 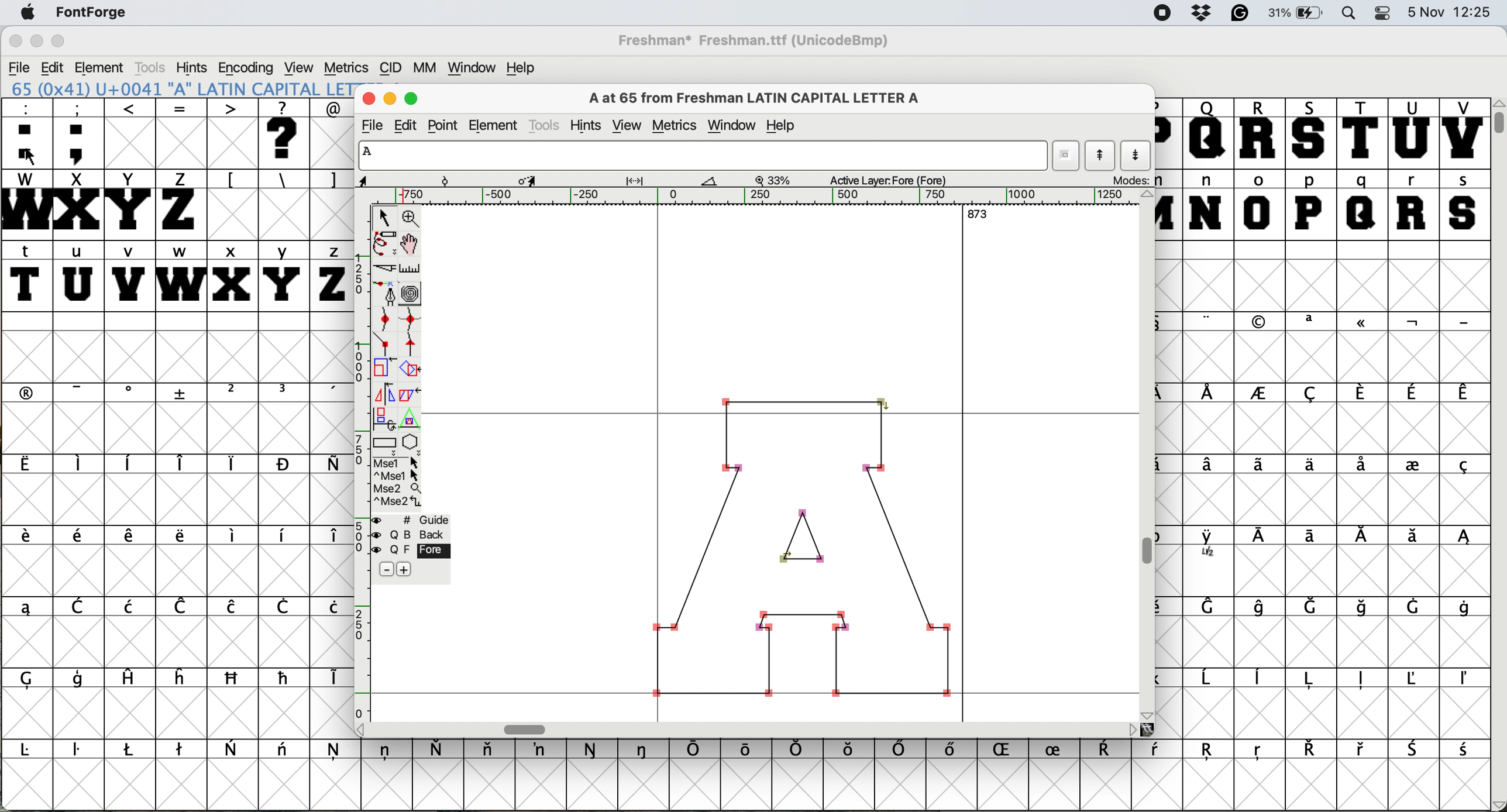 What do you see at coordinates (181, 204) in the screenshot?
I see `Z` at bounding box center [181, 204].